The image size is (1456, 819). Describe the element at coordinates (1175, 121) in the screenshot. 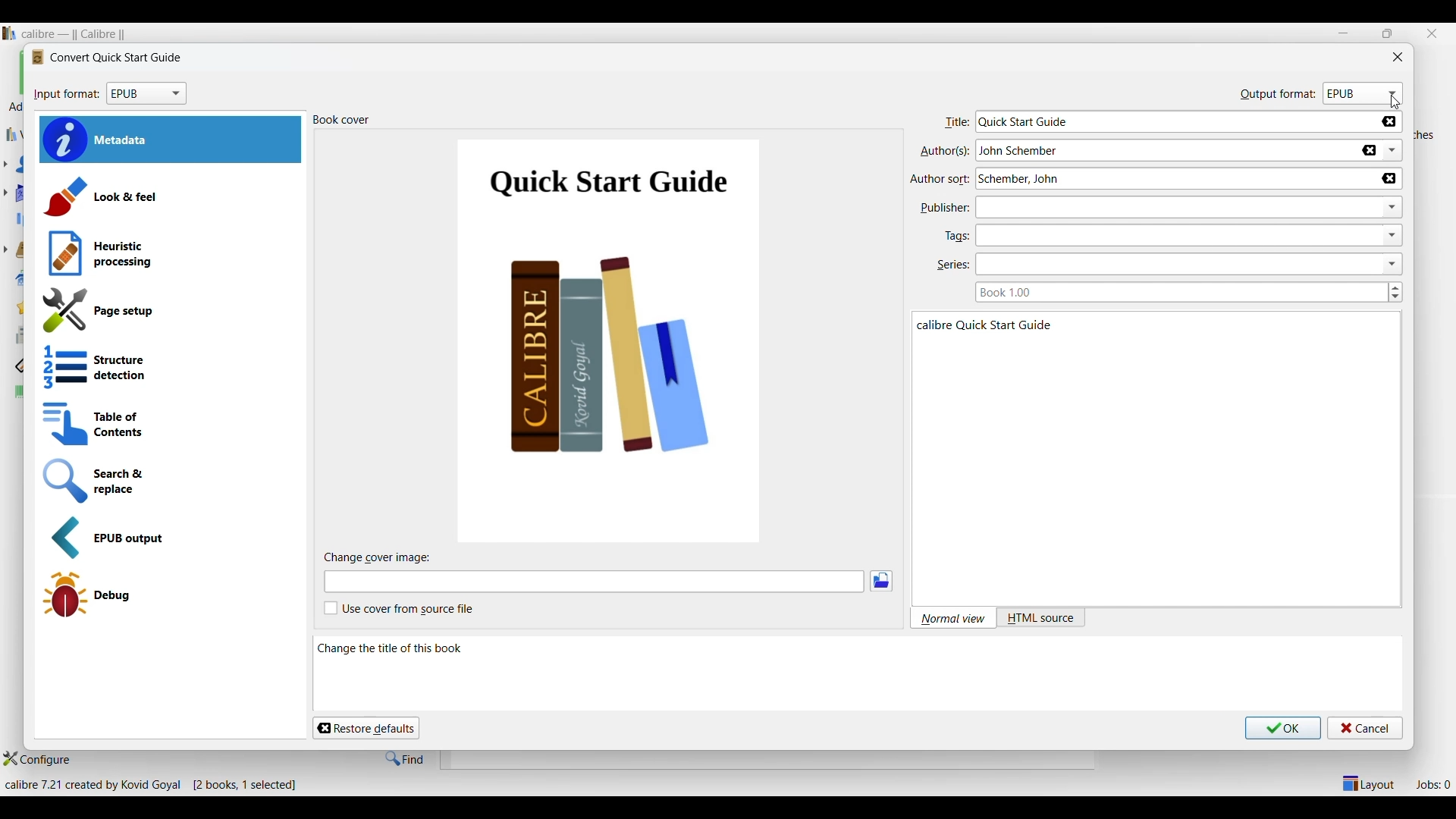

I see `Type in title` at that location.